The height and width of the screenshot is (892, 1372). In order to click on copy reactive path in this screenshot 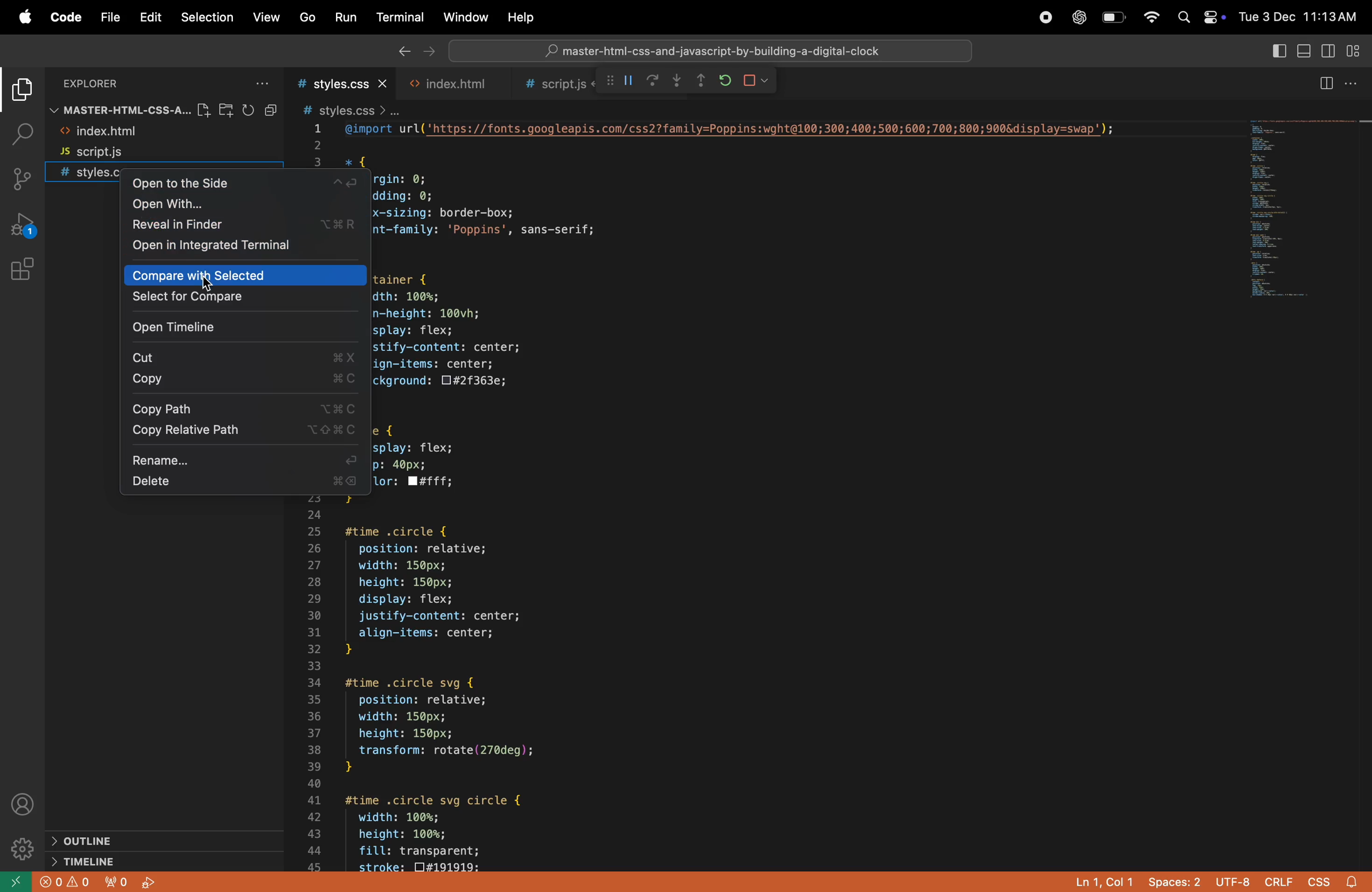, I will do `click(243, 430)`.